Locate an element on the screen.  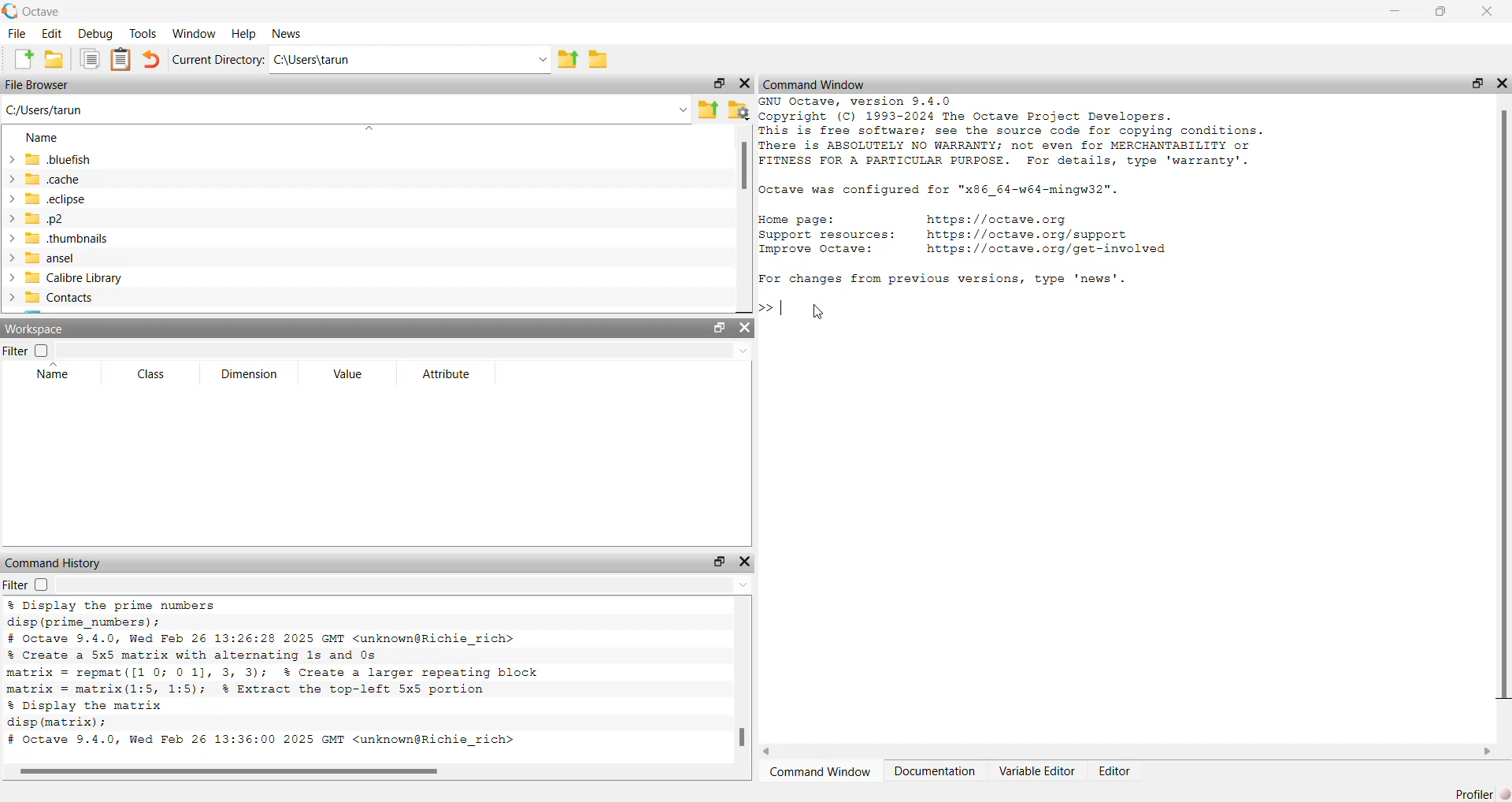
.bluefish is located at coordinates (80, 158).